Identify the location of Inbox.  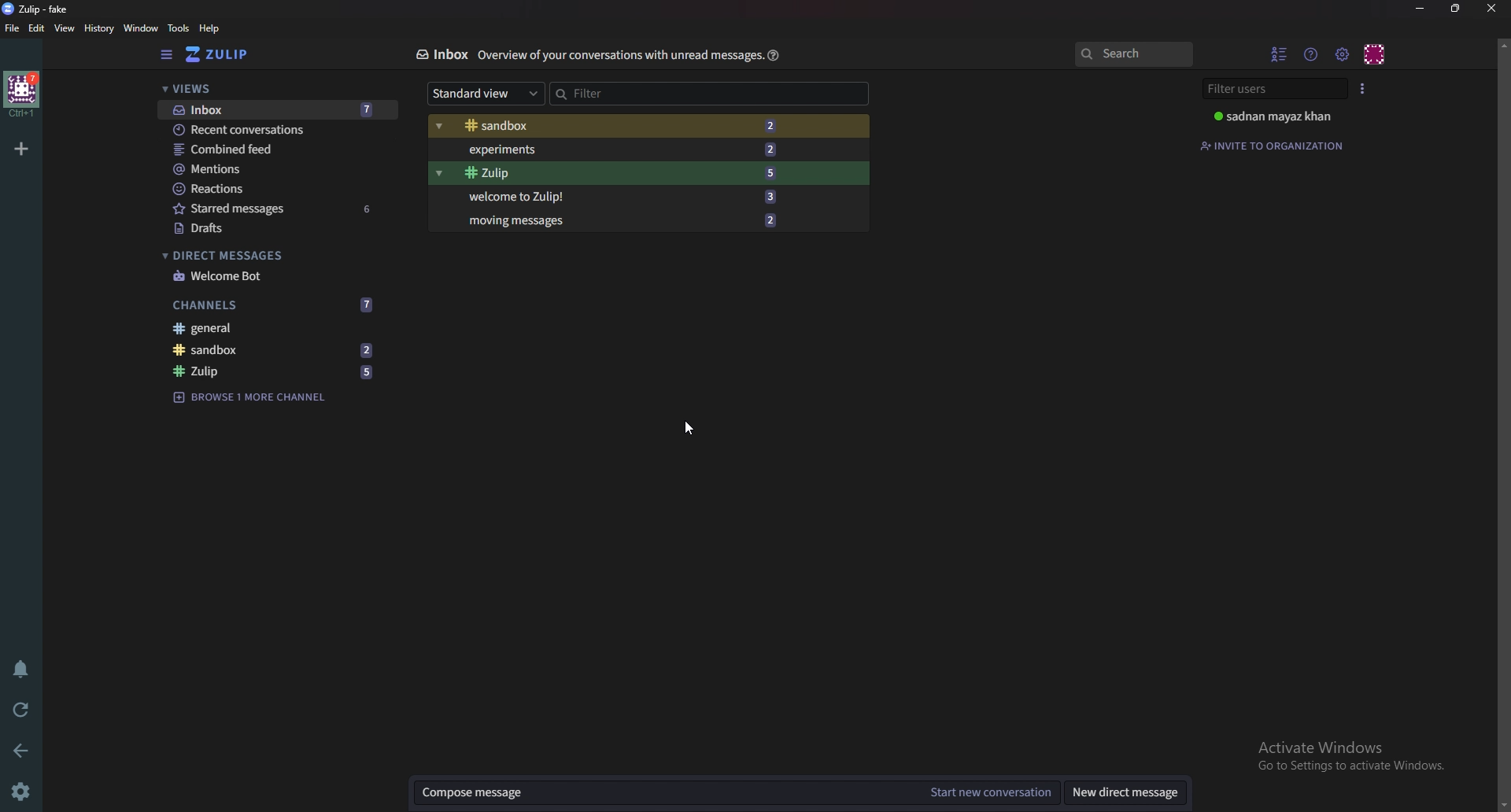
(441, 54).